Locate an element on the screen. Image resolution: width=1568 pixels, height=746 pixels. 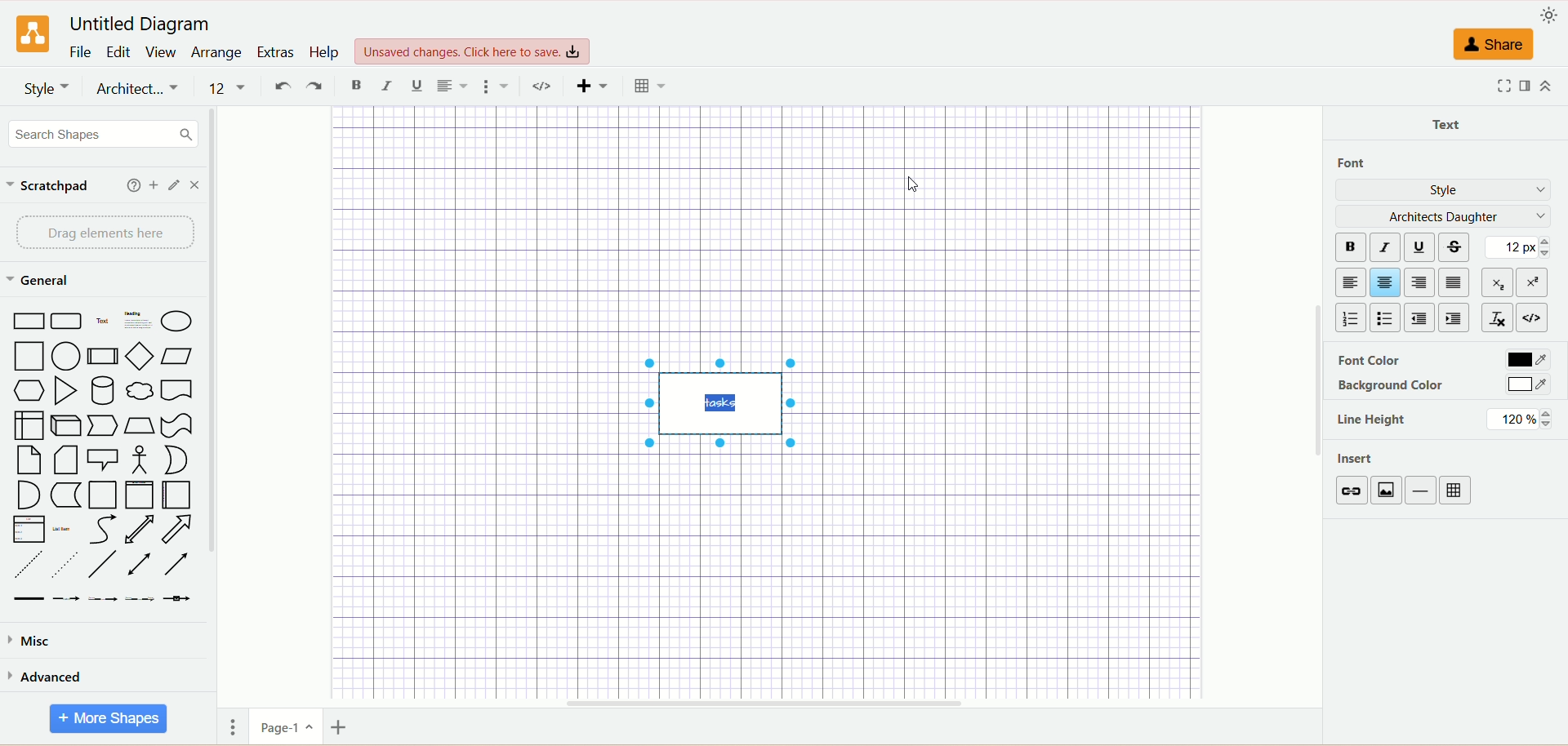
pages is located at coordinates (233, 729).